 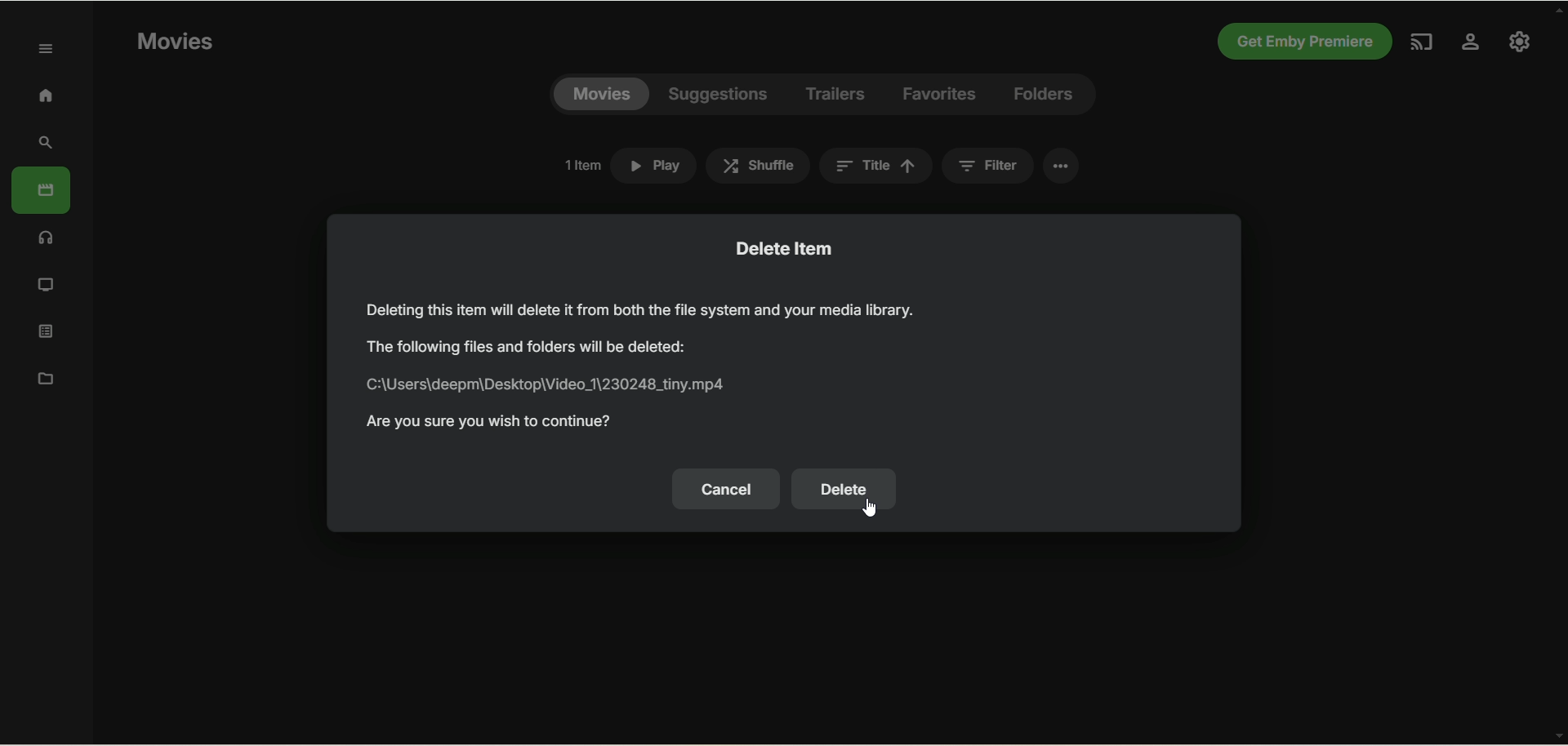 I want to click on music, so click(x=47, y=237).